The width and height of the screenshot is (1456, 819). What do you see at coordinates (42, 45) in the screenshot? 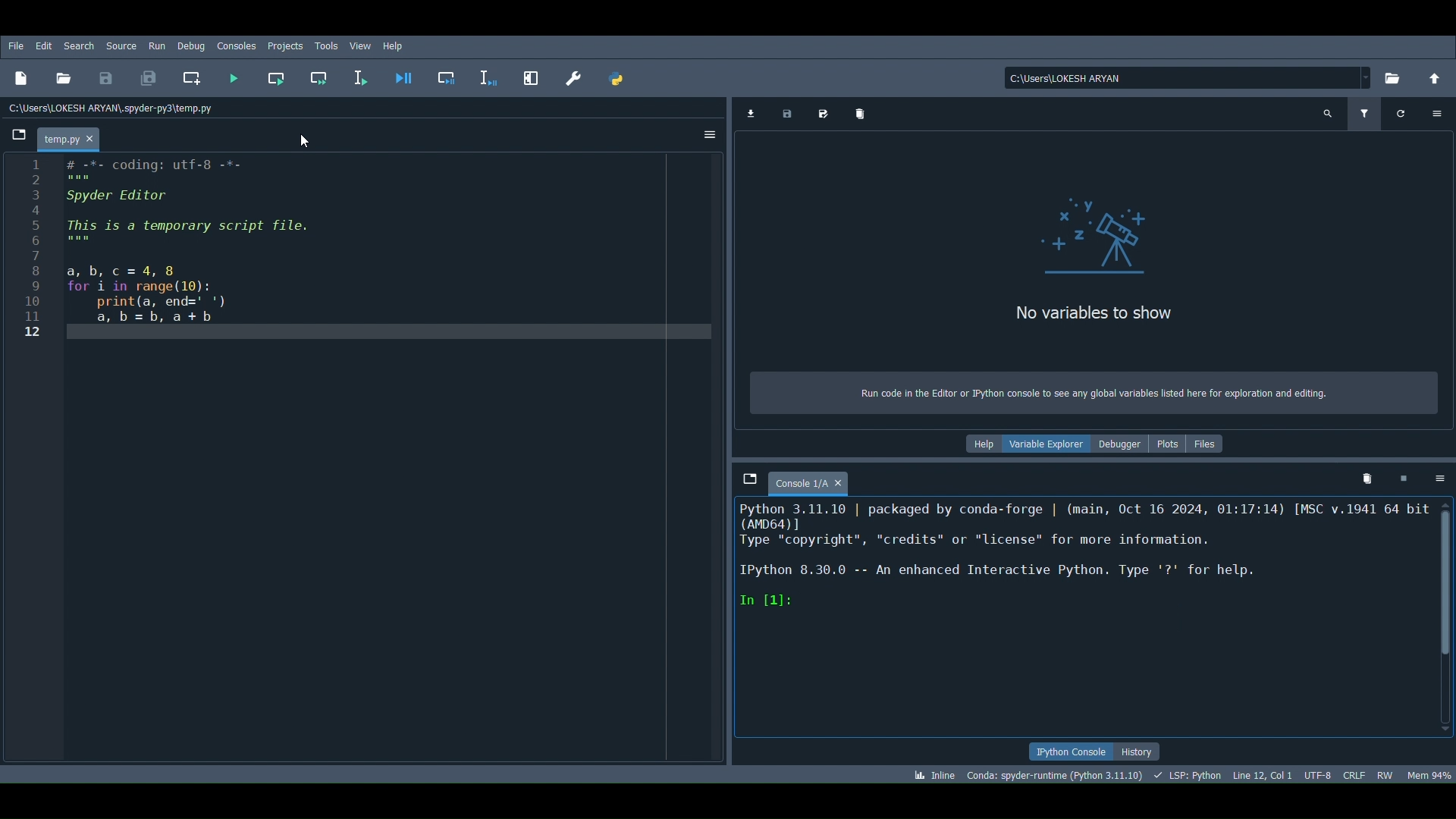
I see `Edit` at bounding box center [42, 45].